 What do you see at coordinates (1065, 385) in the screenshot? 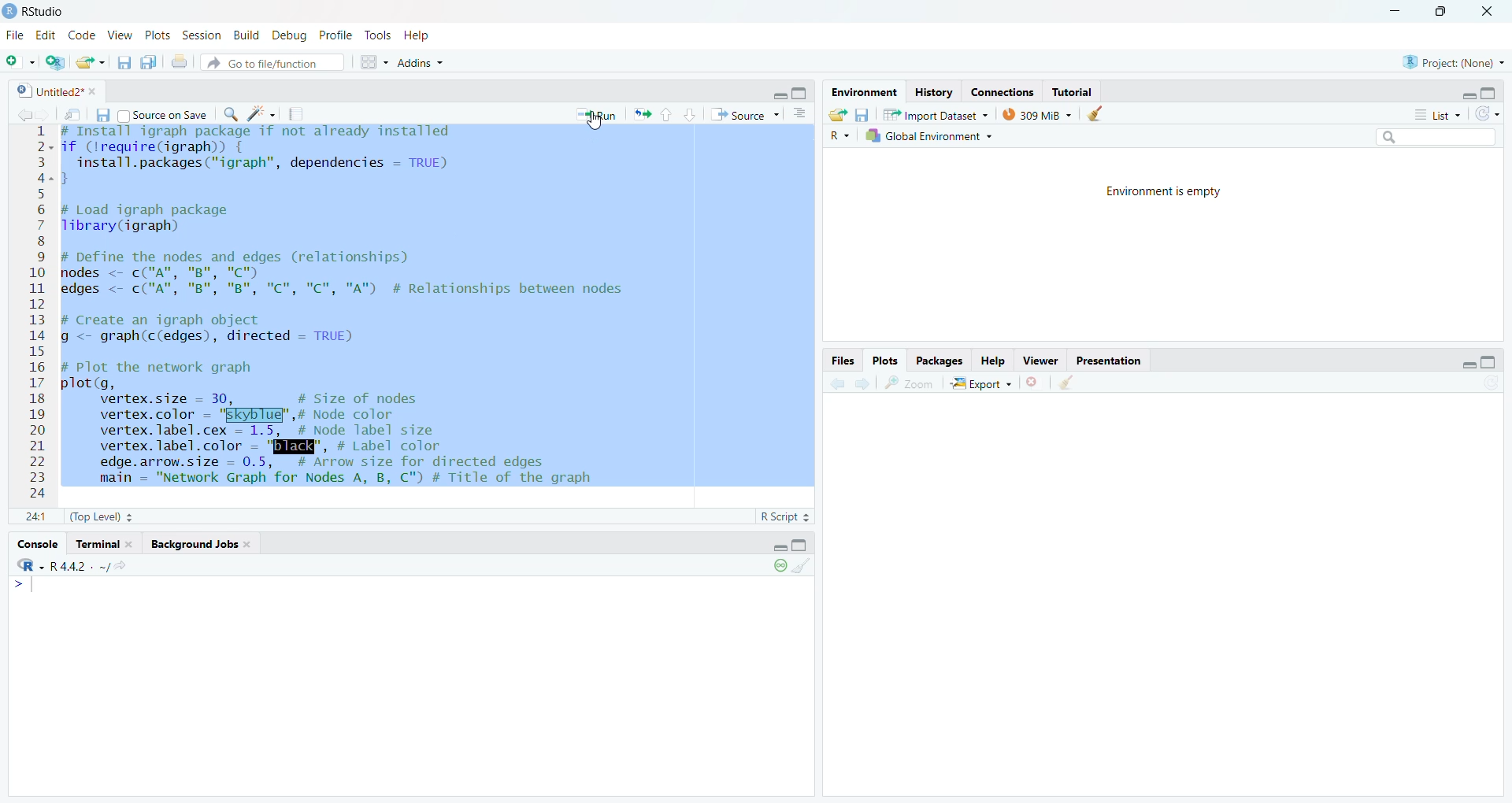
I see `clear` at bounding box center [1065, 385].